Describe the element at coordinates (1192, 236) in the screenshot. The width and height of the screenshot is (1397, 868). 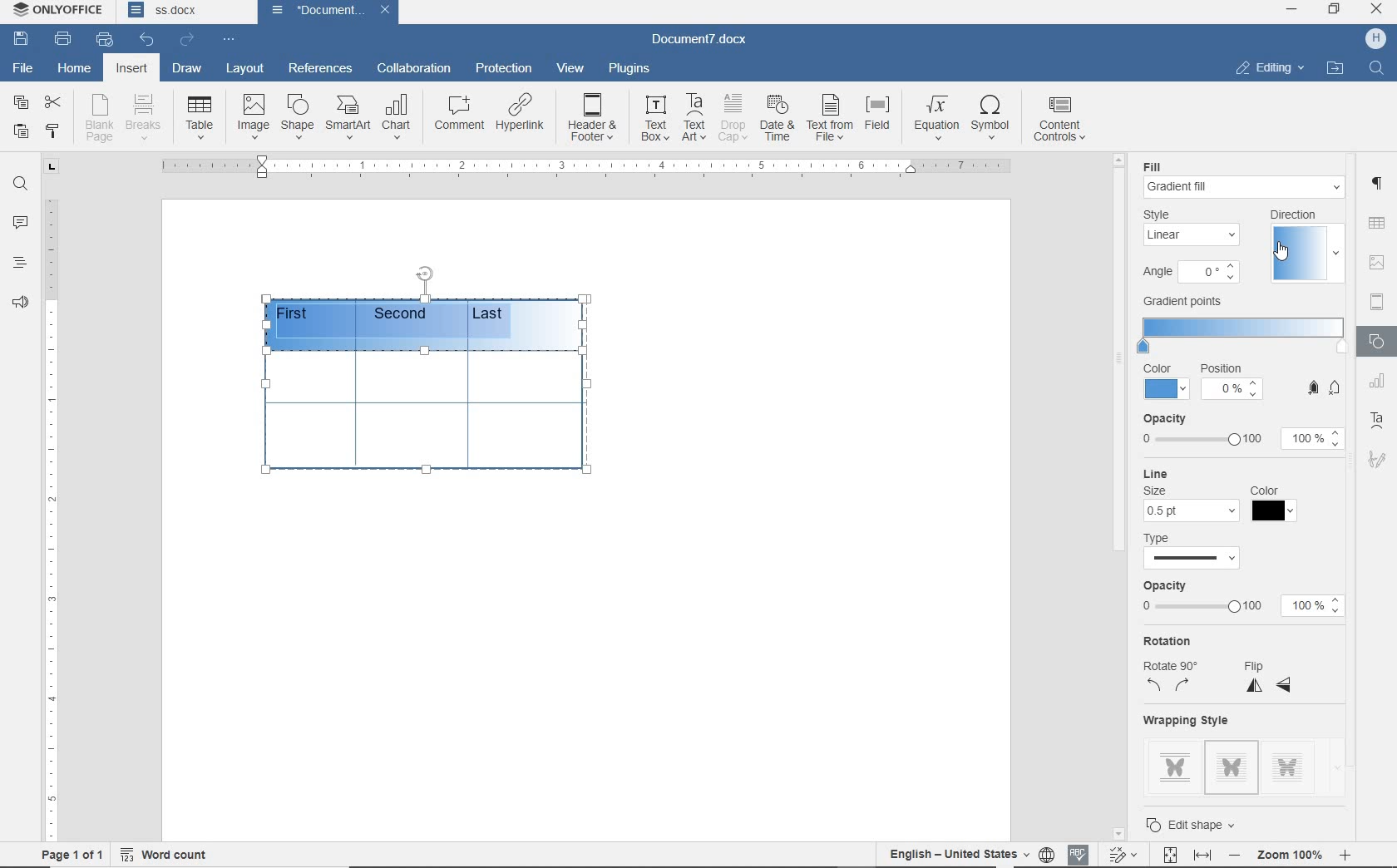
I see `linear` at that location.